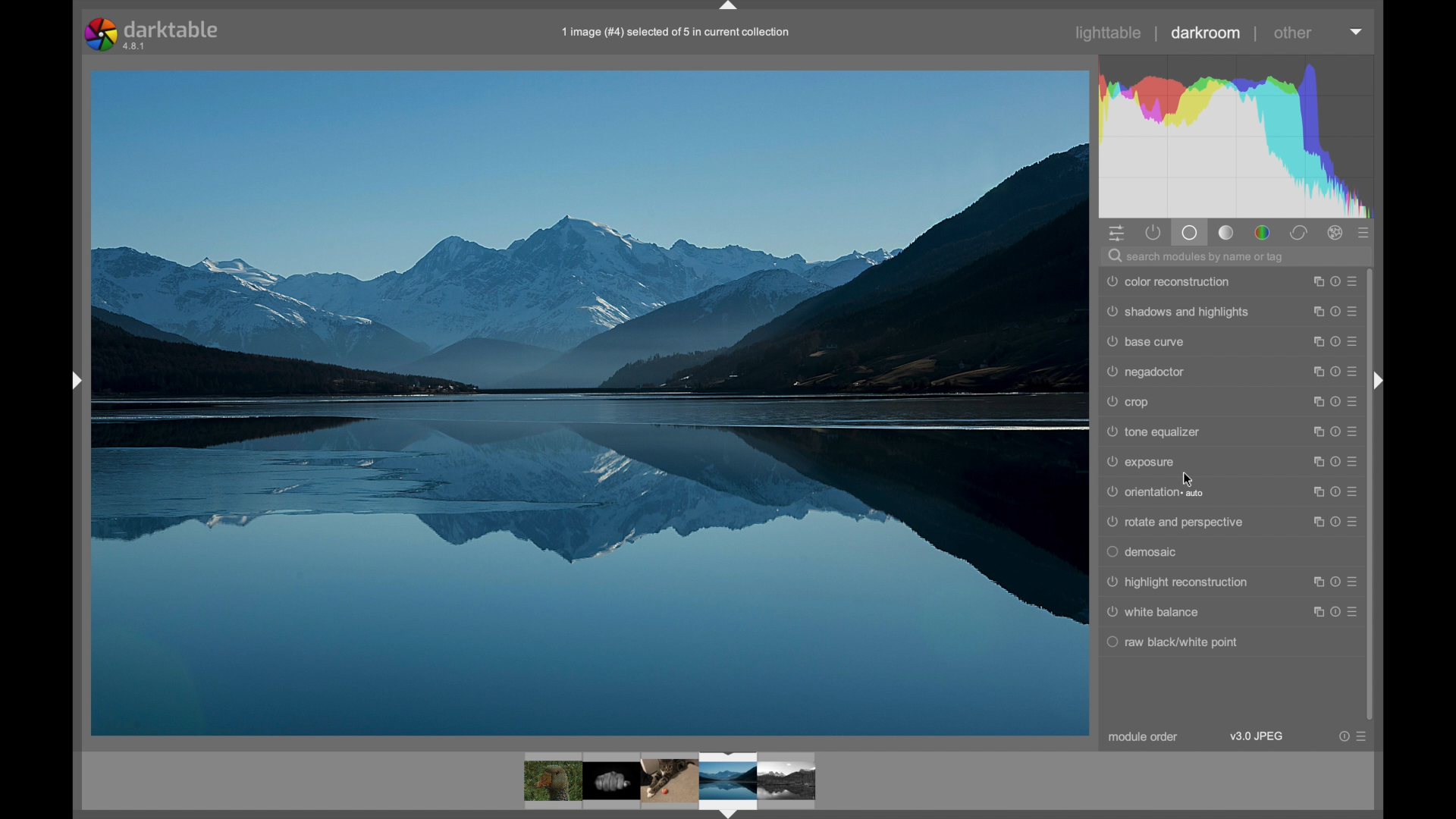 This screenshot has width=1456, height=819. Describe the element at coordinates (1155, 492) in the screenshot. I see `orientation` at that location.